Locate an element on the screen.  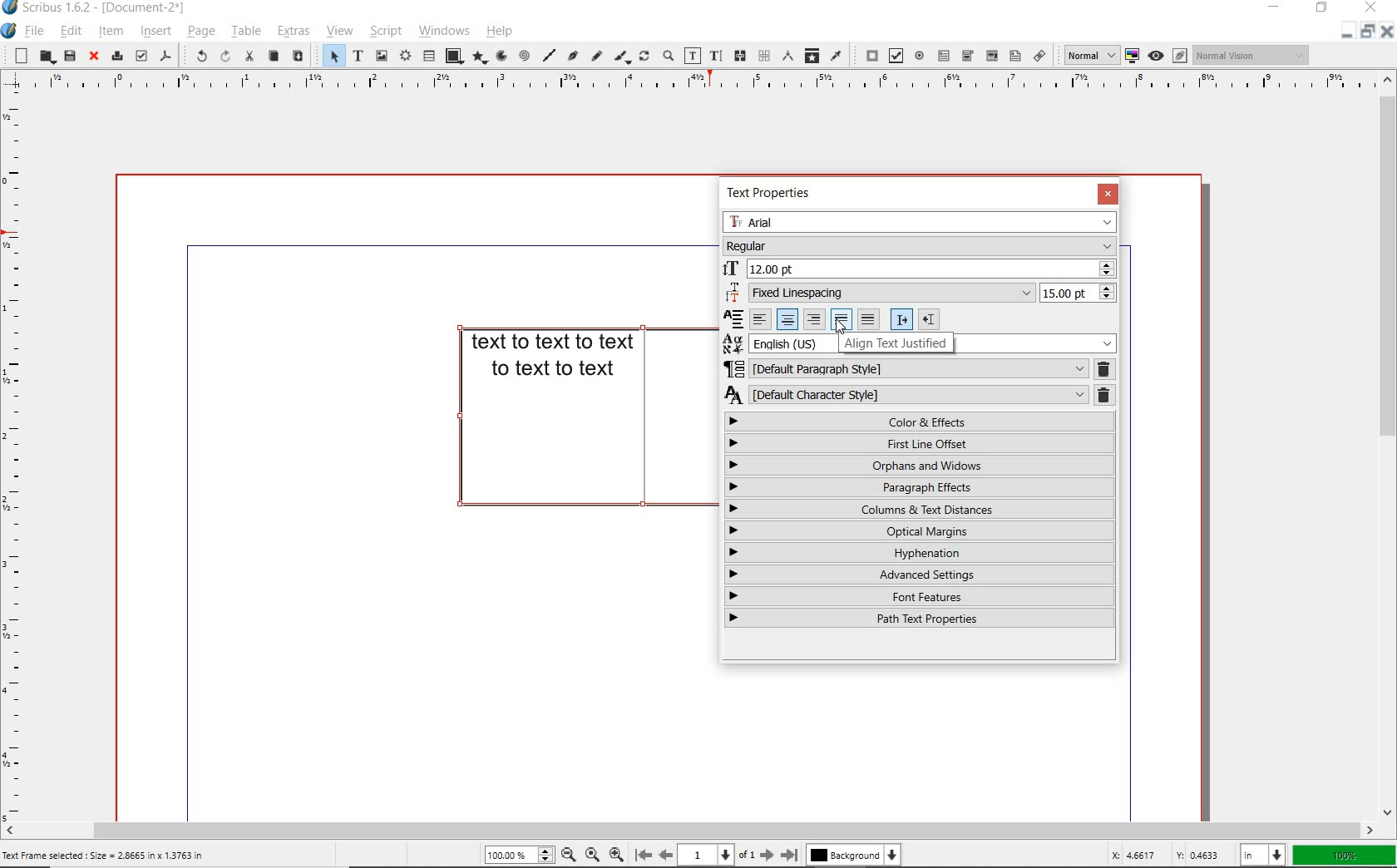
freehand line is located at coordinates (595, 55).